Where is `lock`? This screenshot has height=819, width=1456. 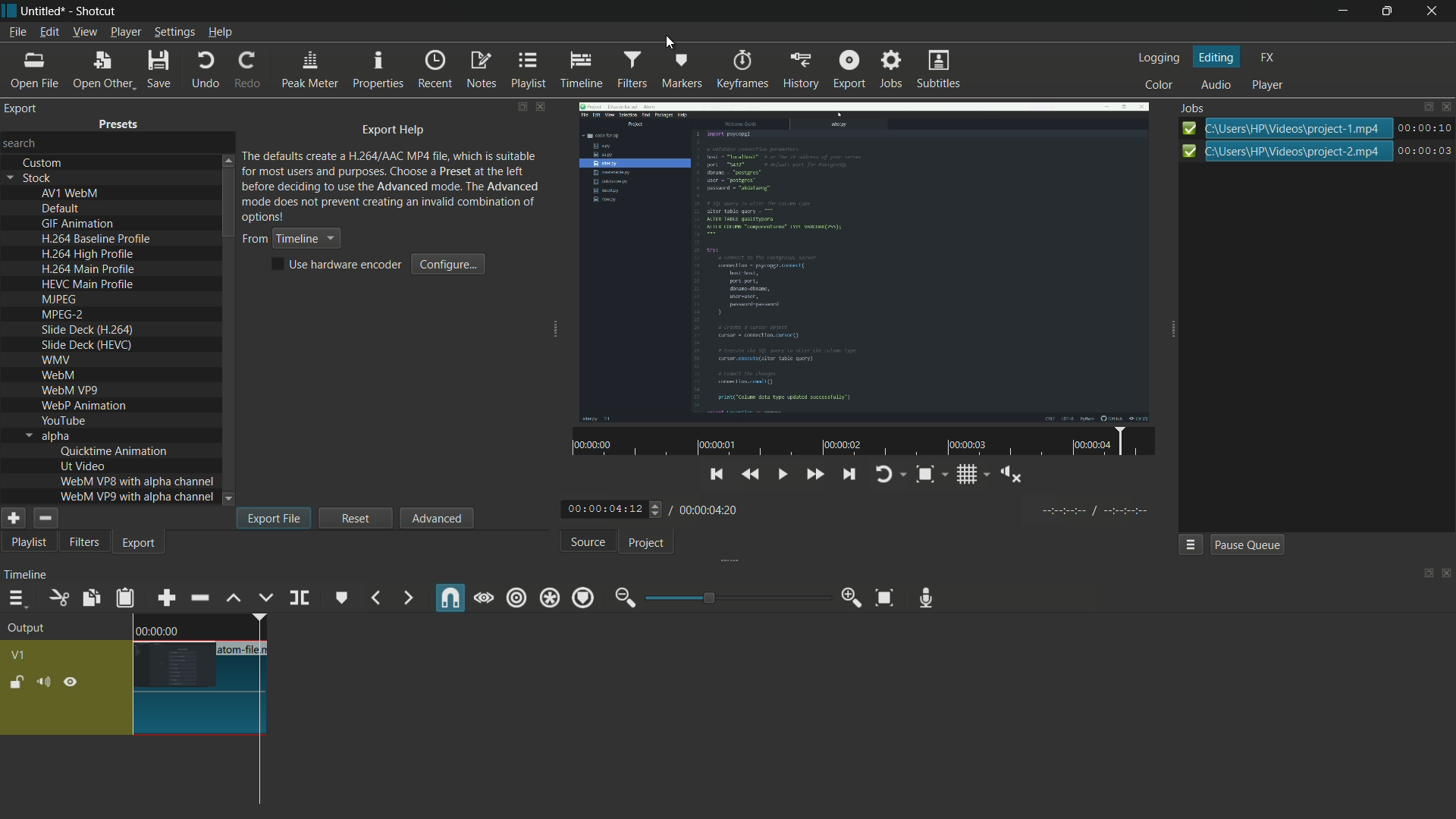 lock is located at coordinates (17, 682).